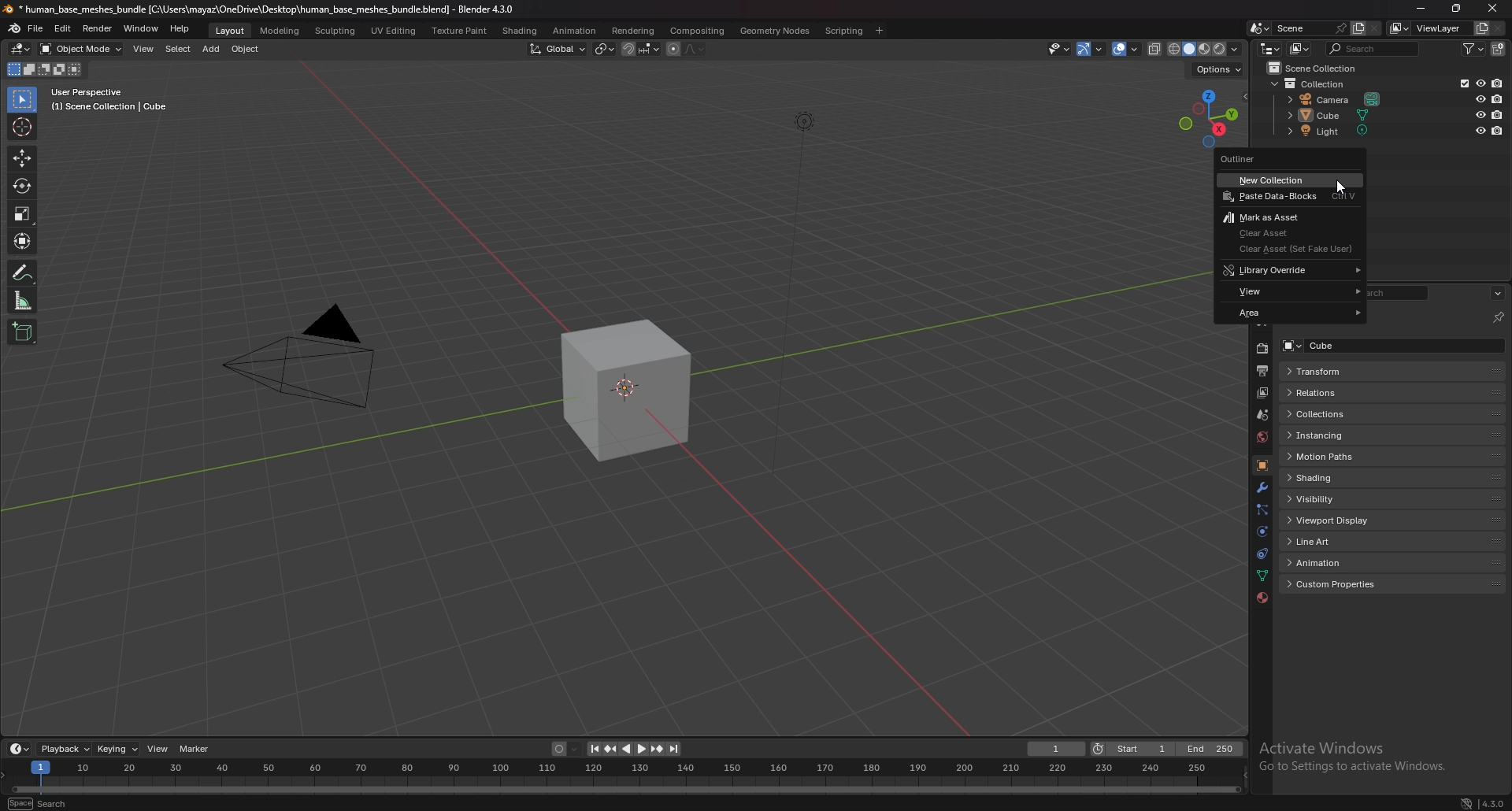  Describe the element at coordinates (1498, 82) in the screenshot. I see `disable in renders` at that location.